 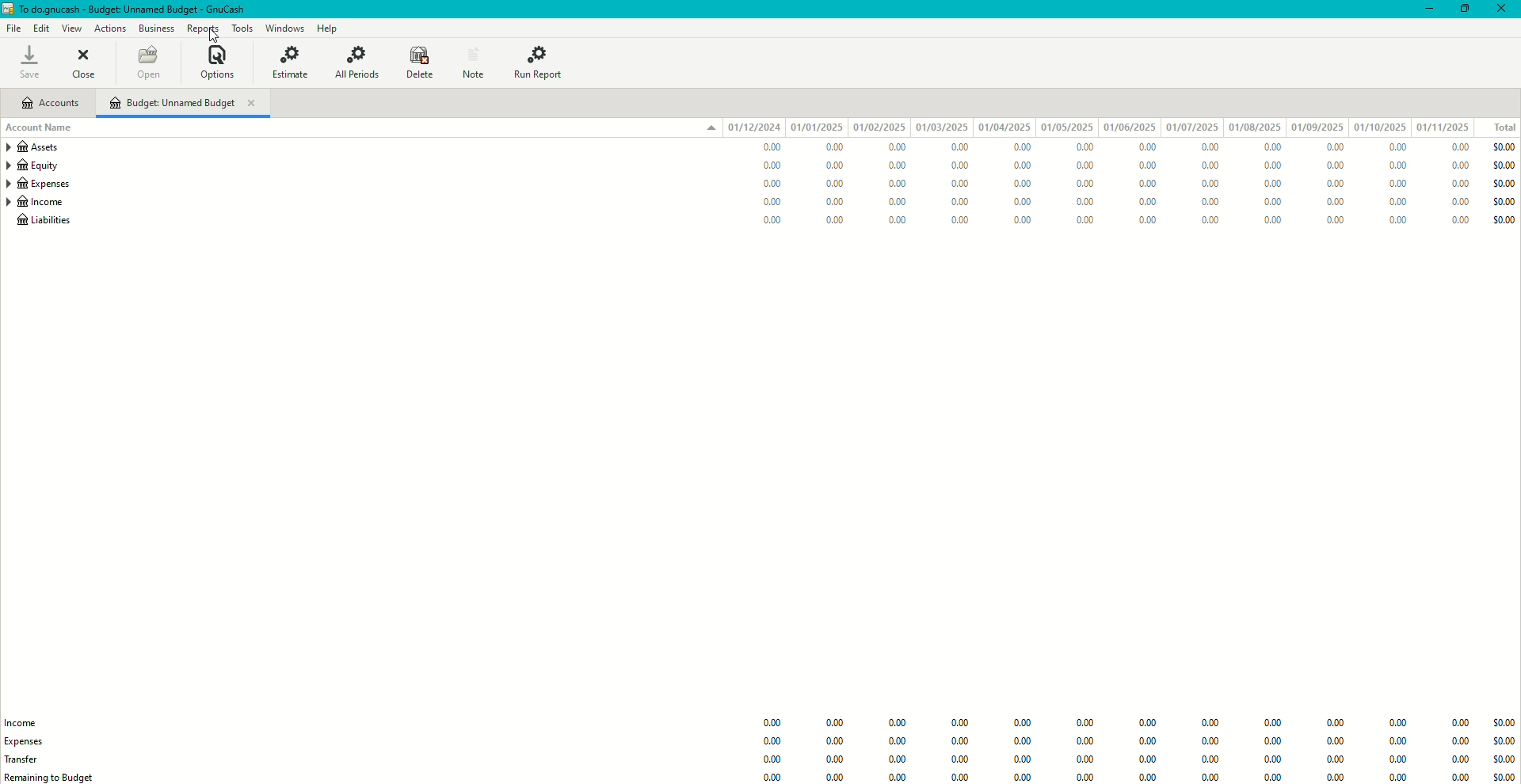 What do you see at coordinates (1022, 741) in the screenshot?
I see `0.00` at bounding box center [1022, 741].